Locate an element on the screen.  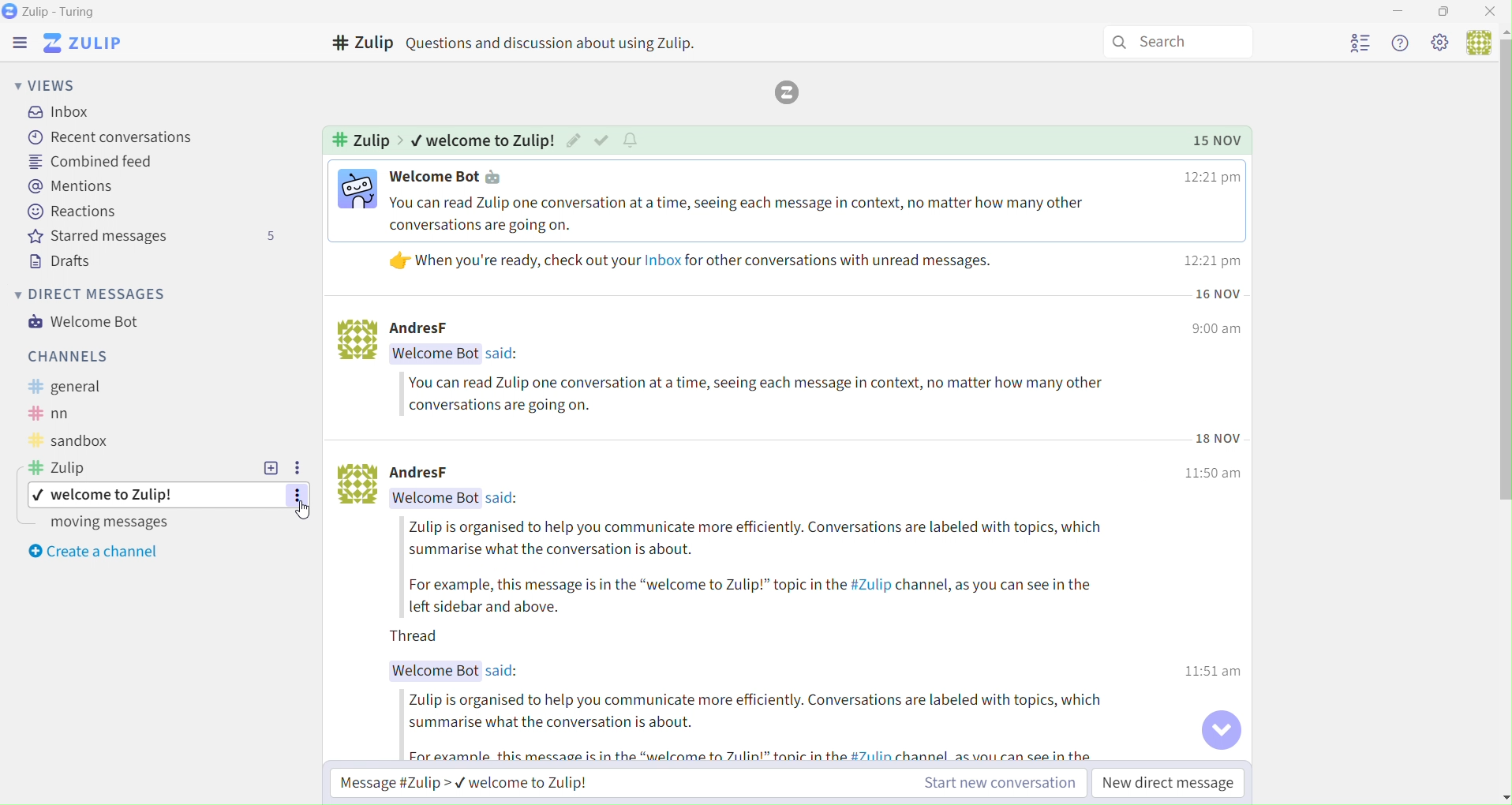
Create a channel is located at coordinates (92, 549).